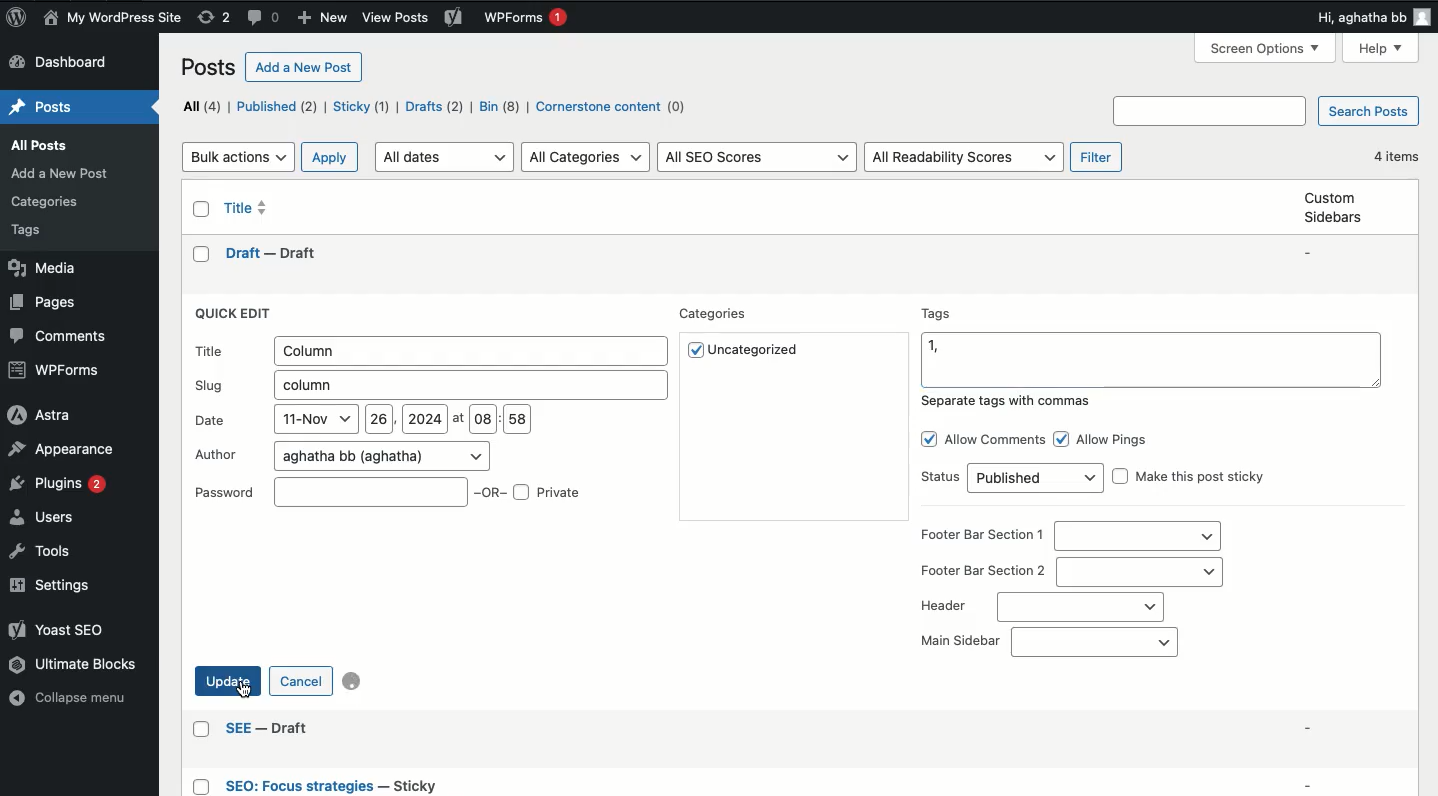  I want to click on , so click(29, 233).